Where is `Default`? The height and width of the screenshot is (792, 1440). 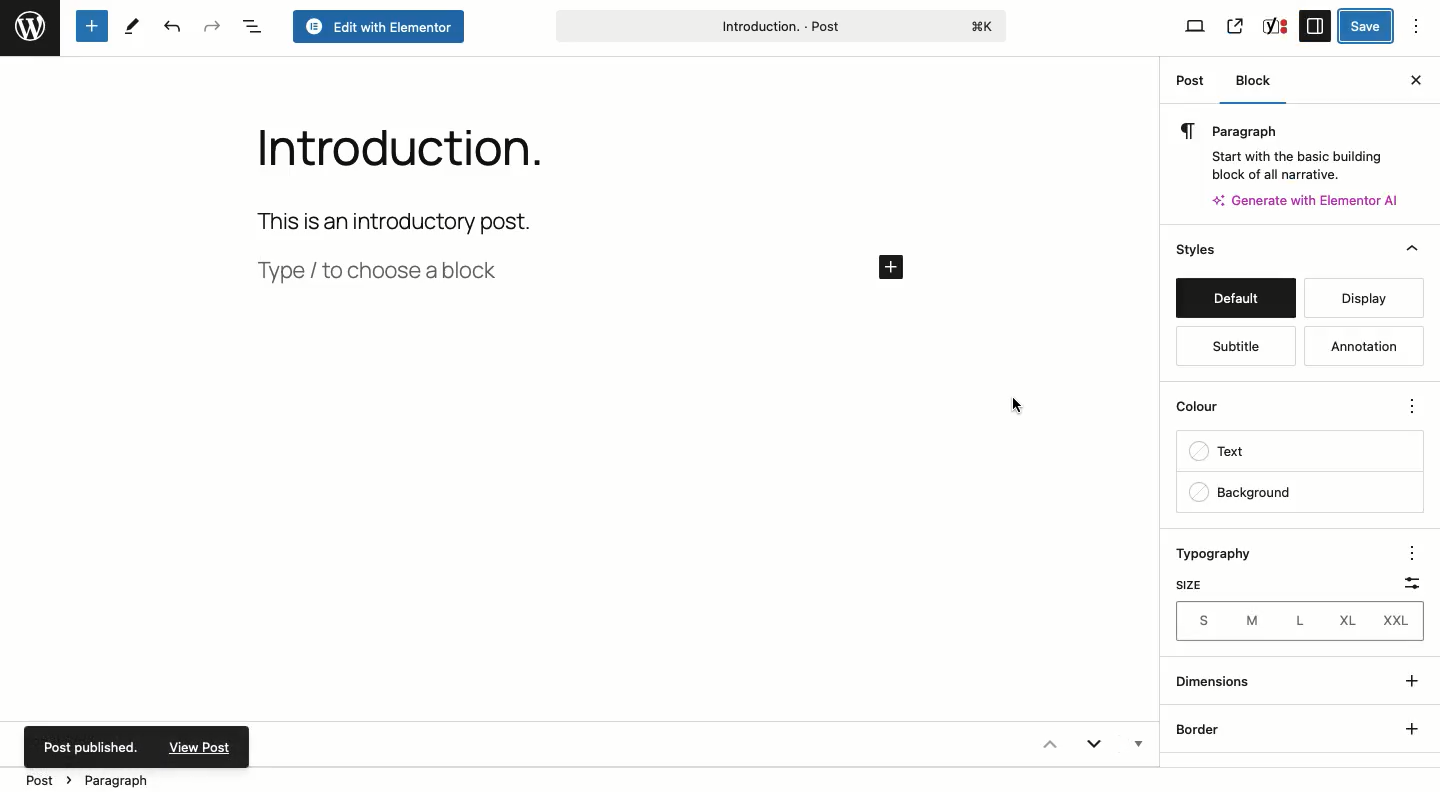
Default is located at coordinates (1235, 300).